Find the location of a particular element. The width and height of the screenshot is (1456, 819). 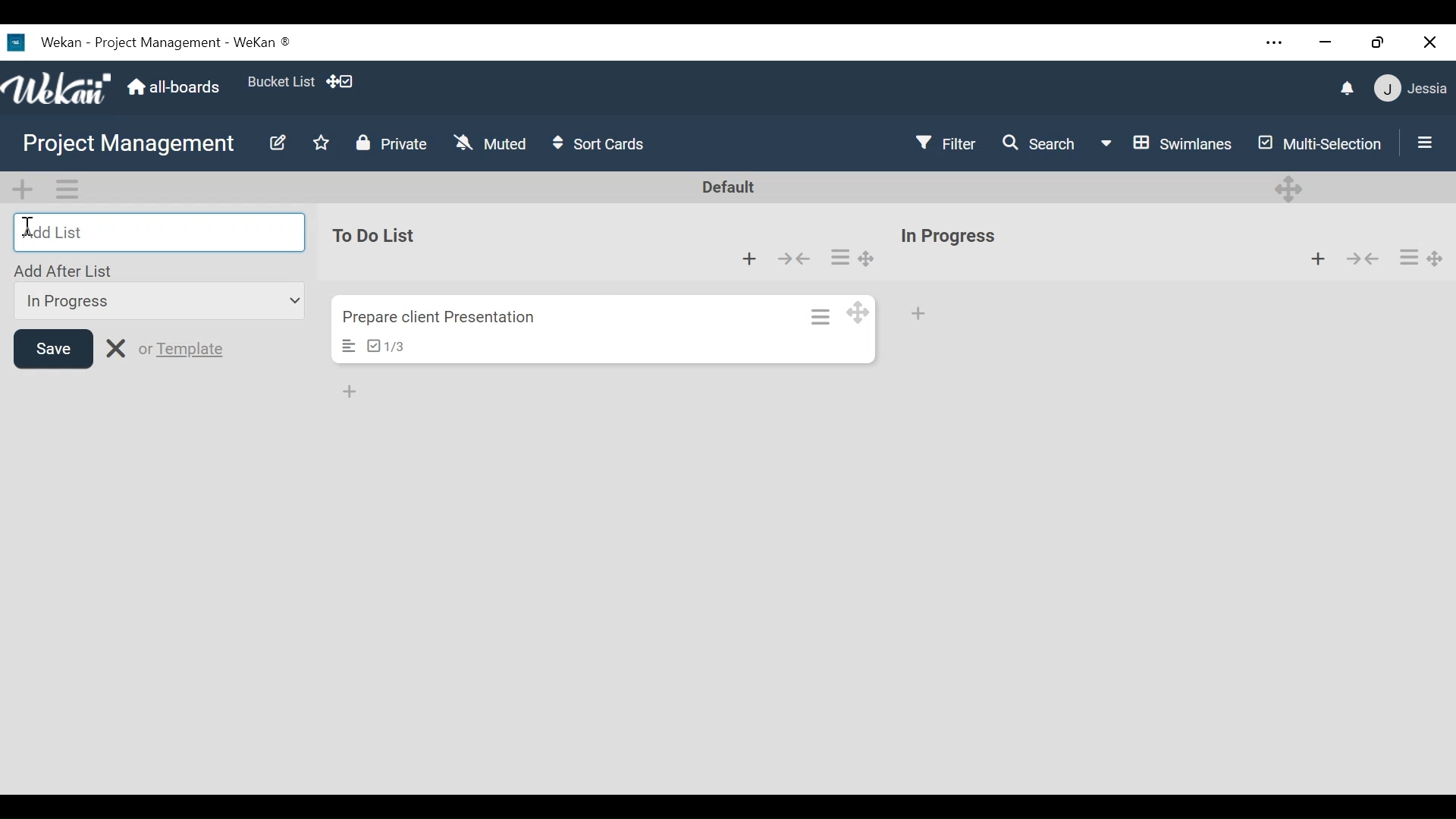

Cancel is located at coordinates (115, 347).